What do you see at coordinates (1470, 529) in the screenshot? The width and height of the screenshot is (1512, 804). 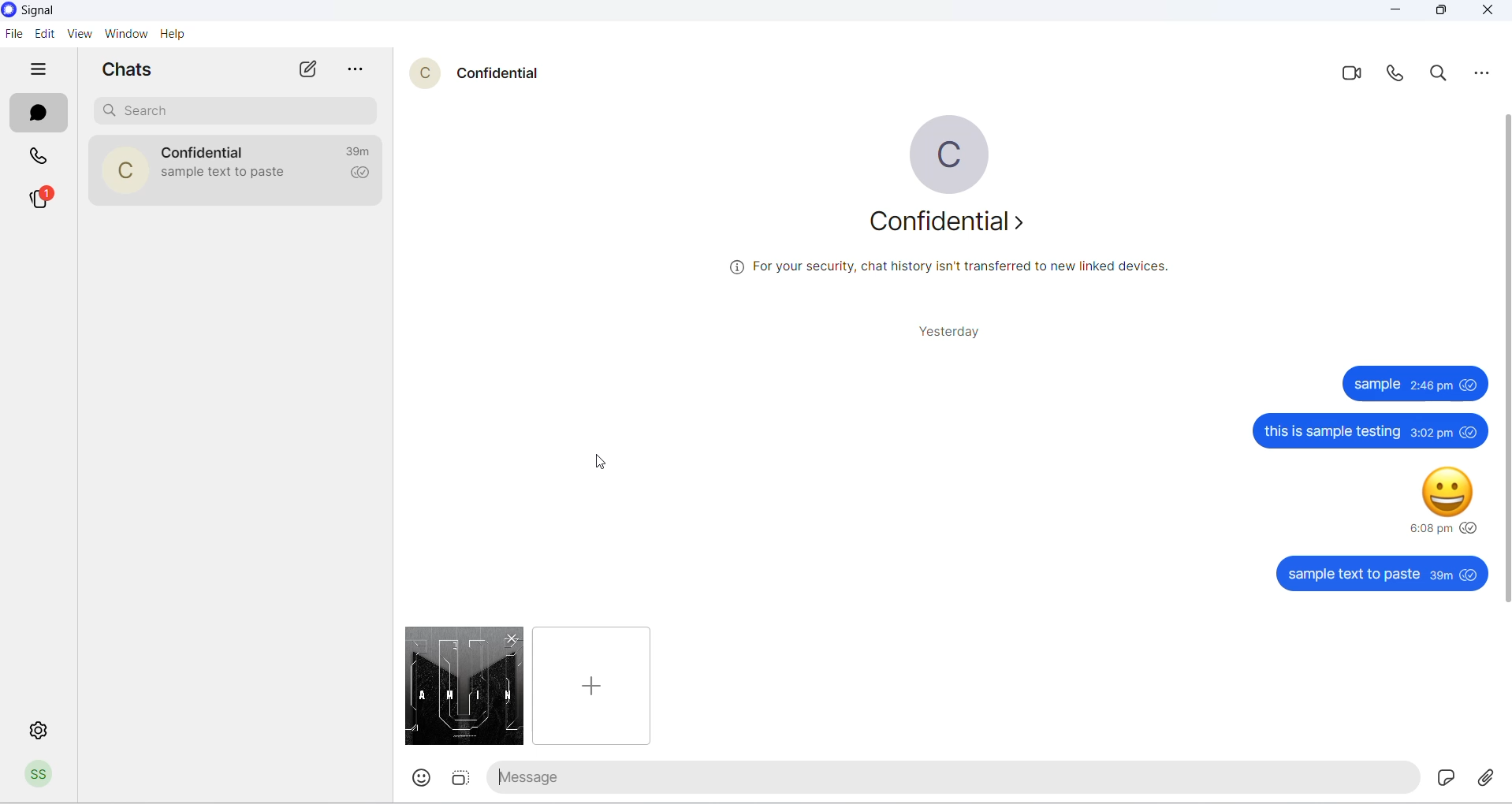 I see `seen` at bounding box center [1470, 529].